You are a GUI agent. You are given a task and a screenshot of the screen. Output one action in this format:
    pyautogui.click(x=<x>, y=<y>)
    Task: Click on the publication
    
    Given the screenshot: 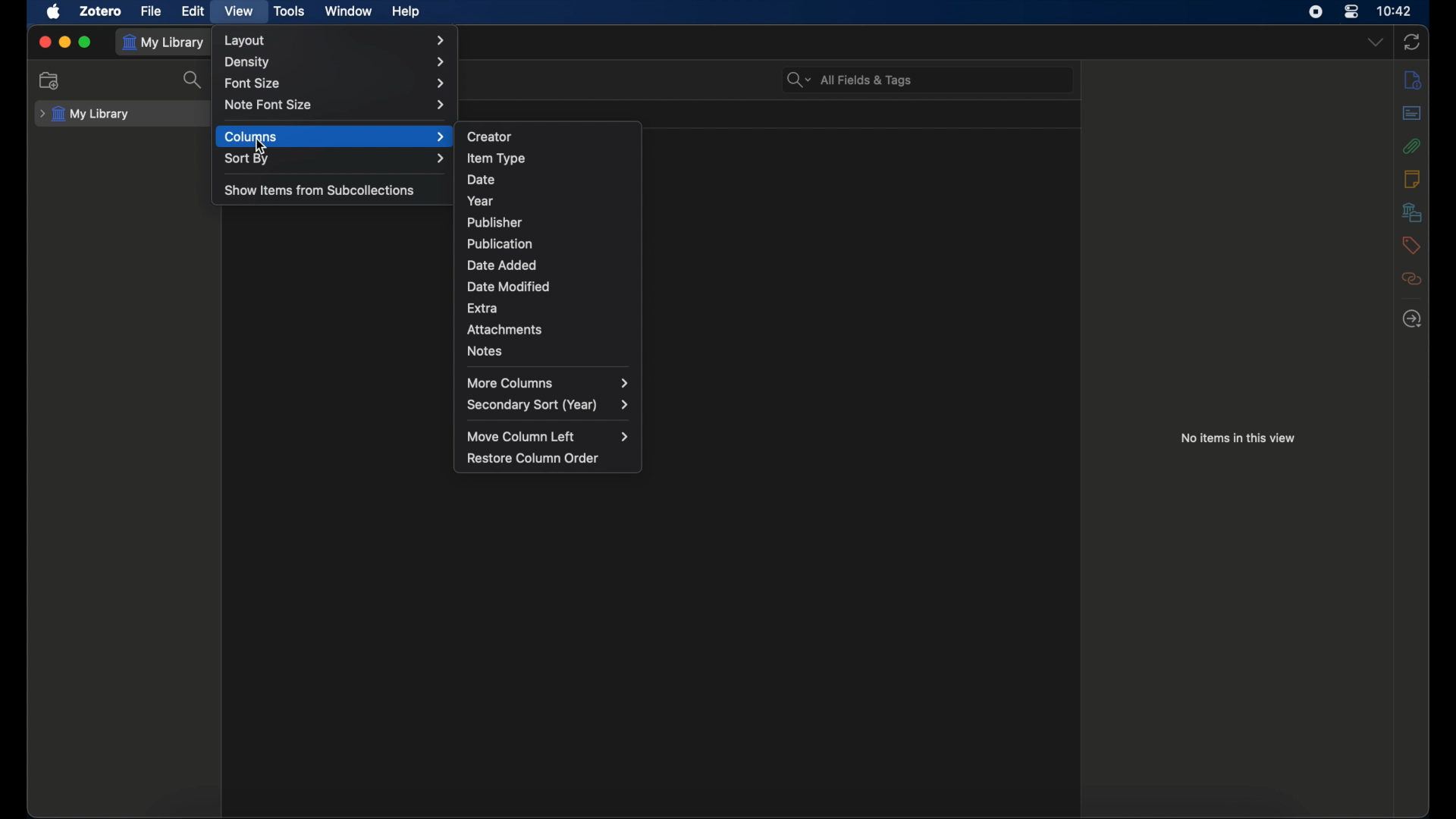 What is the action you would take?
    pyautogui.click(x=500, y=243)
    